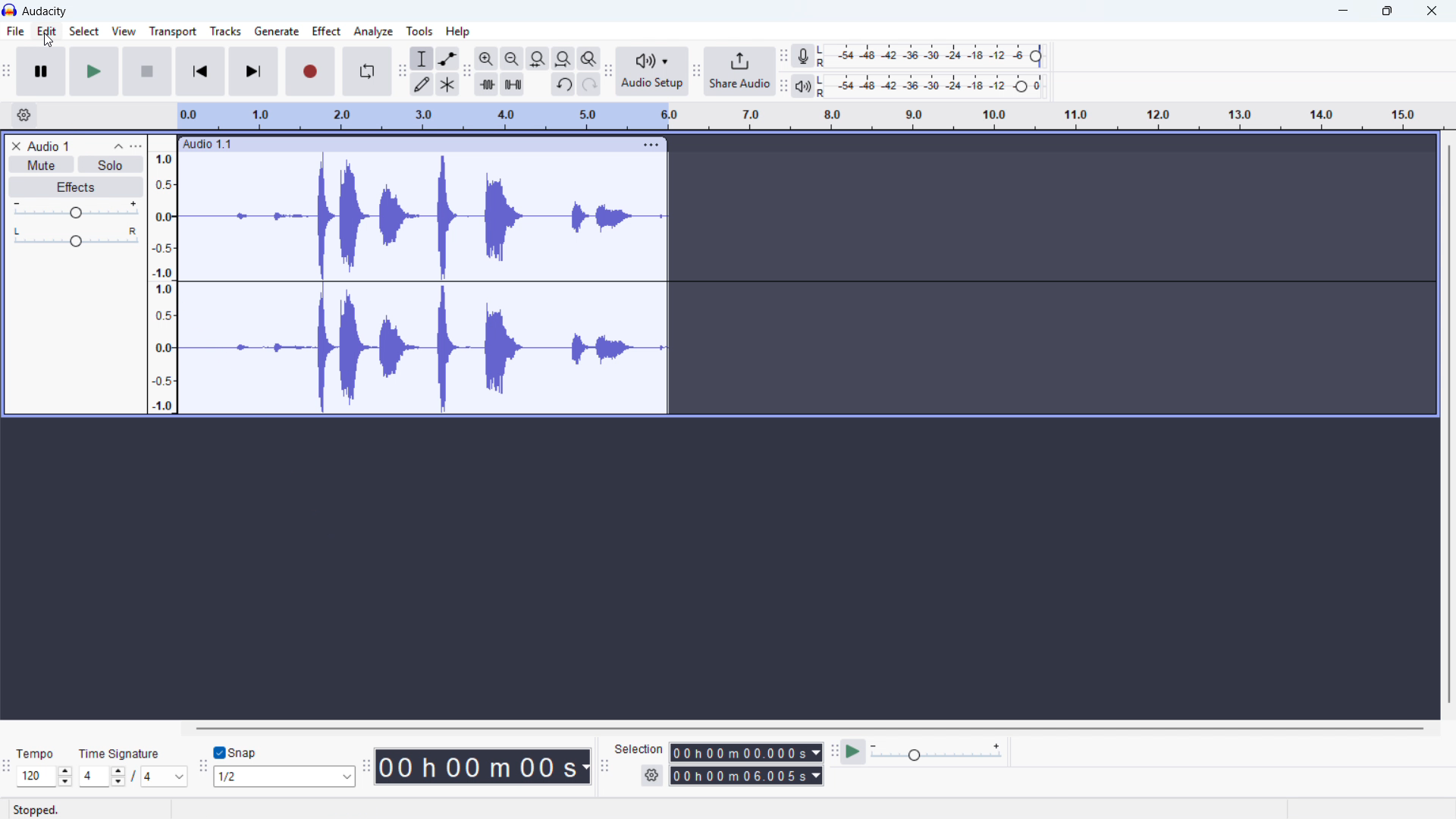  I want to click on tempo, so click(39, 753).